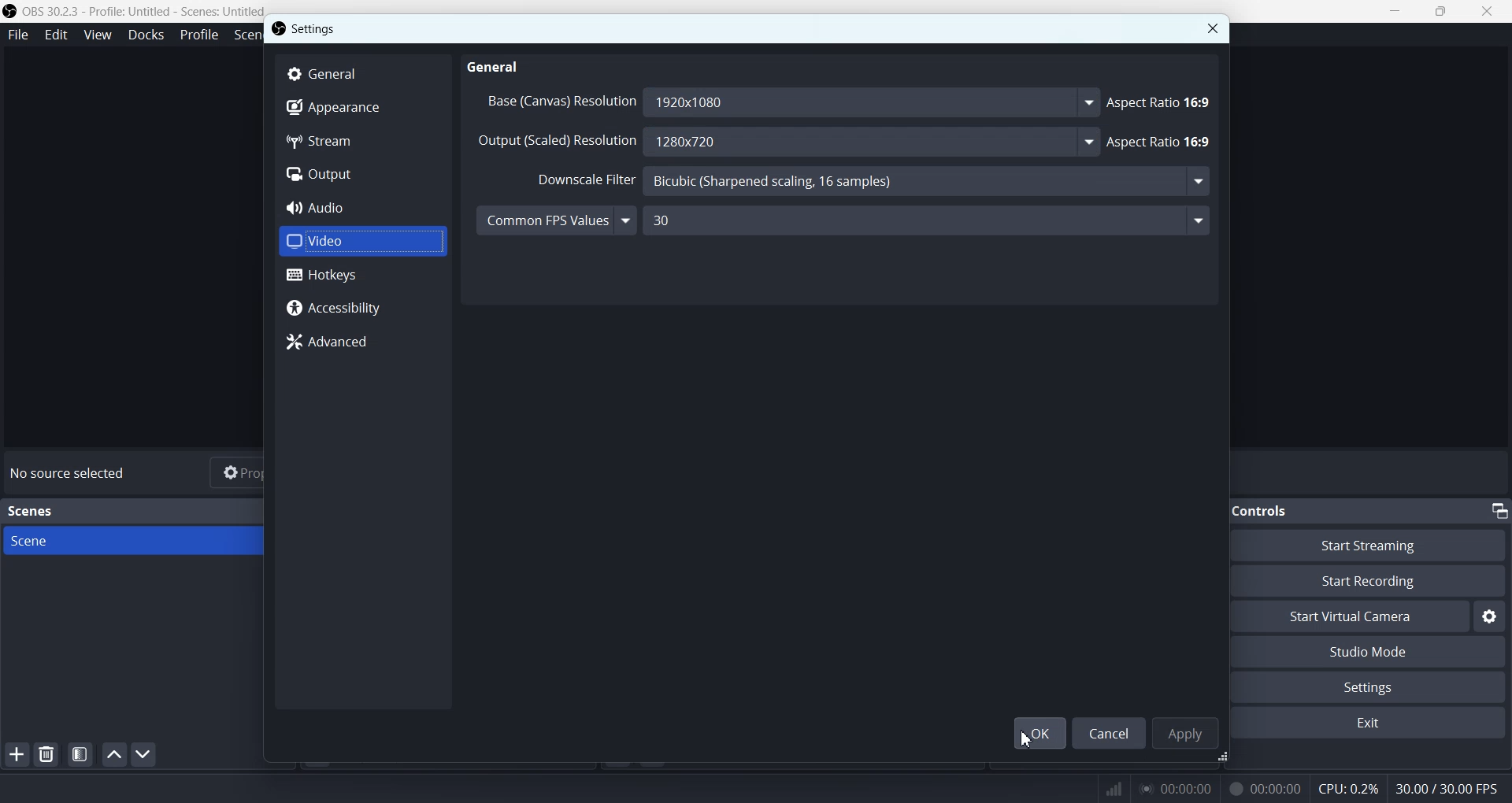 This screenshot has height=803, width=1512. Describe the element at coordinates (317, 28) in the screenshot. I see `Settings` at that location.